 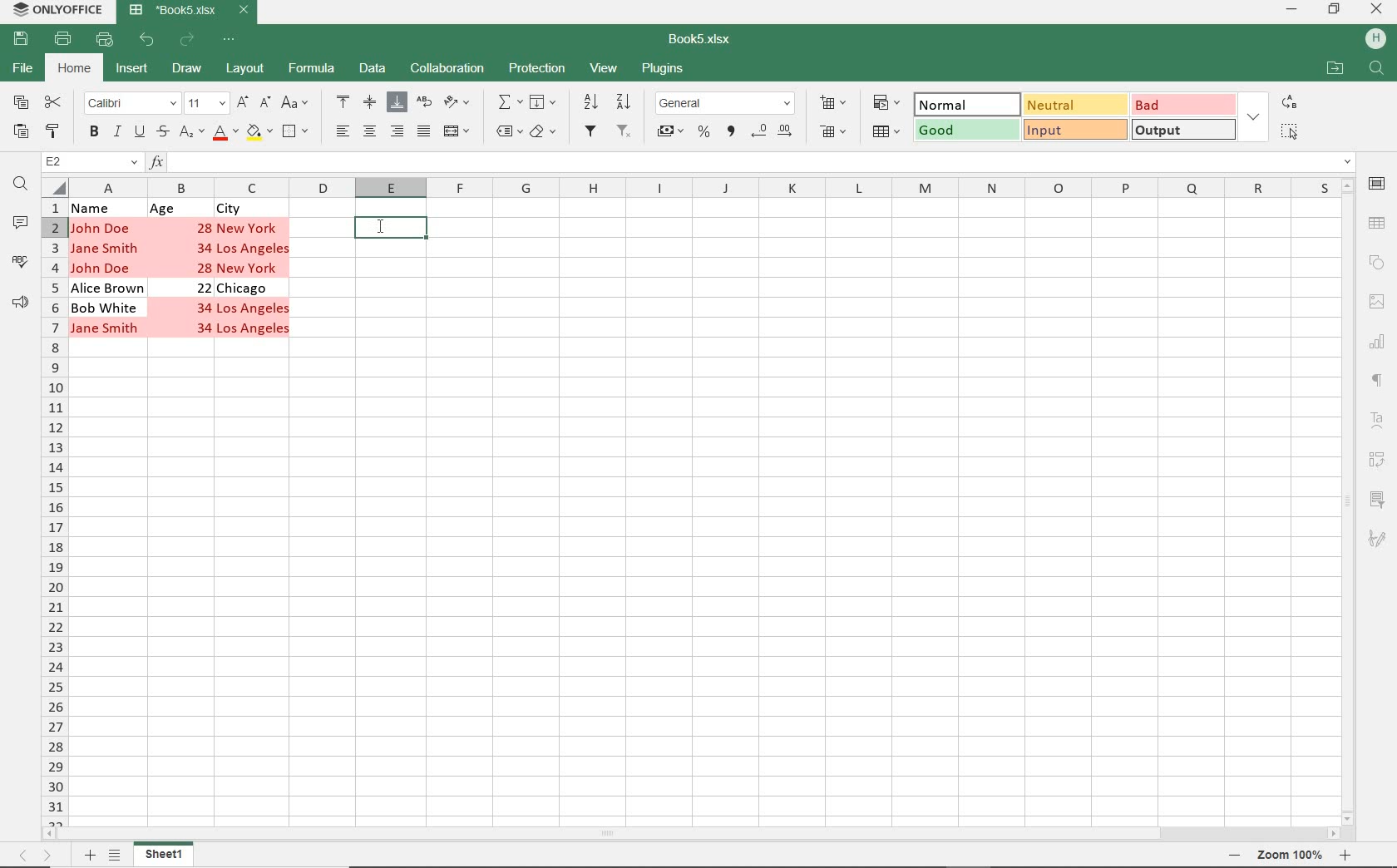 I want to click on SORT ASCENDING, so click(x=591, y=101).